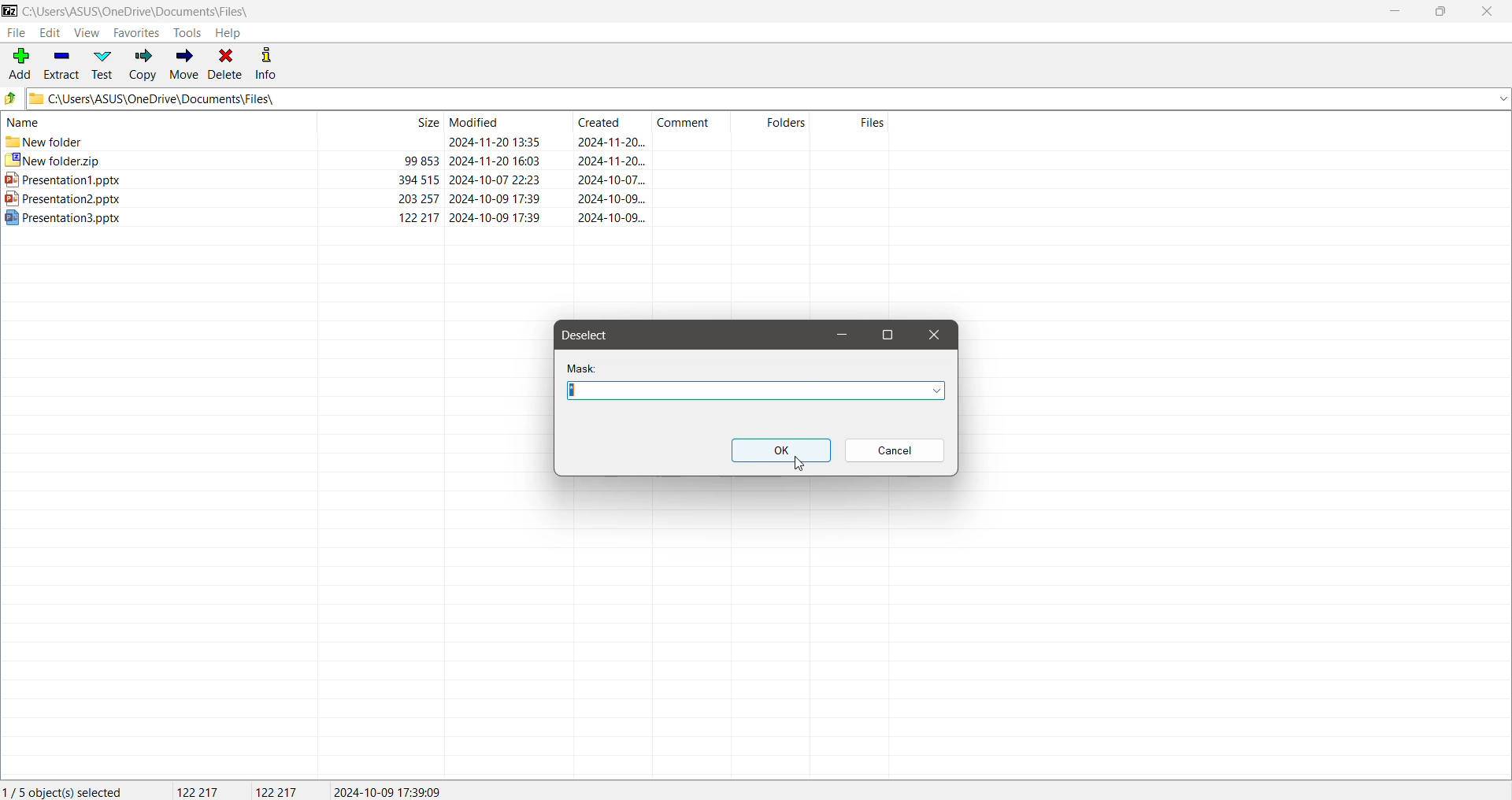 This screenshot has width=1512, height=800. What do you see at coordinates (234, 32) in the screenshot?
I see `Help` at bounding box center [234, 32].